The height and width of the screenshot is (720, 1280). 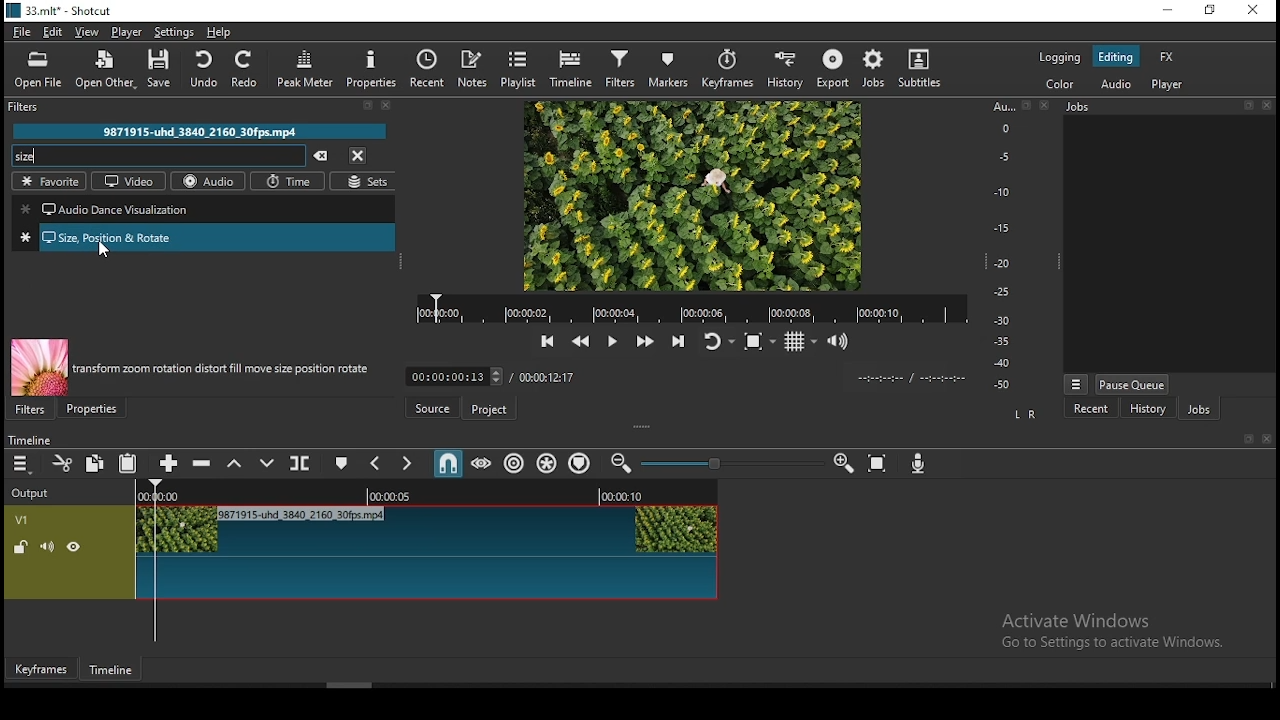 I want to click on timeline, so click(x=575, y=68).